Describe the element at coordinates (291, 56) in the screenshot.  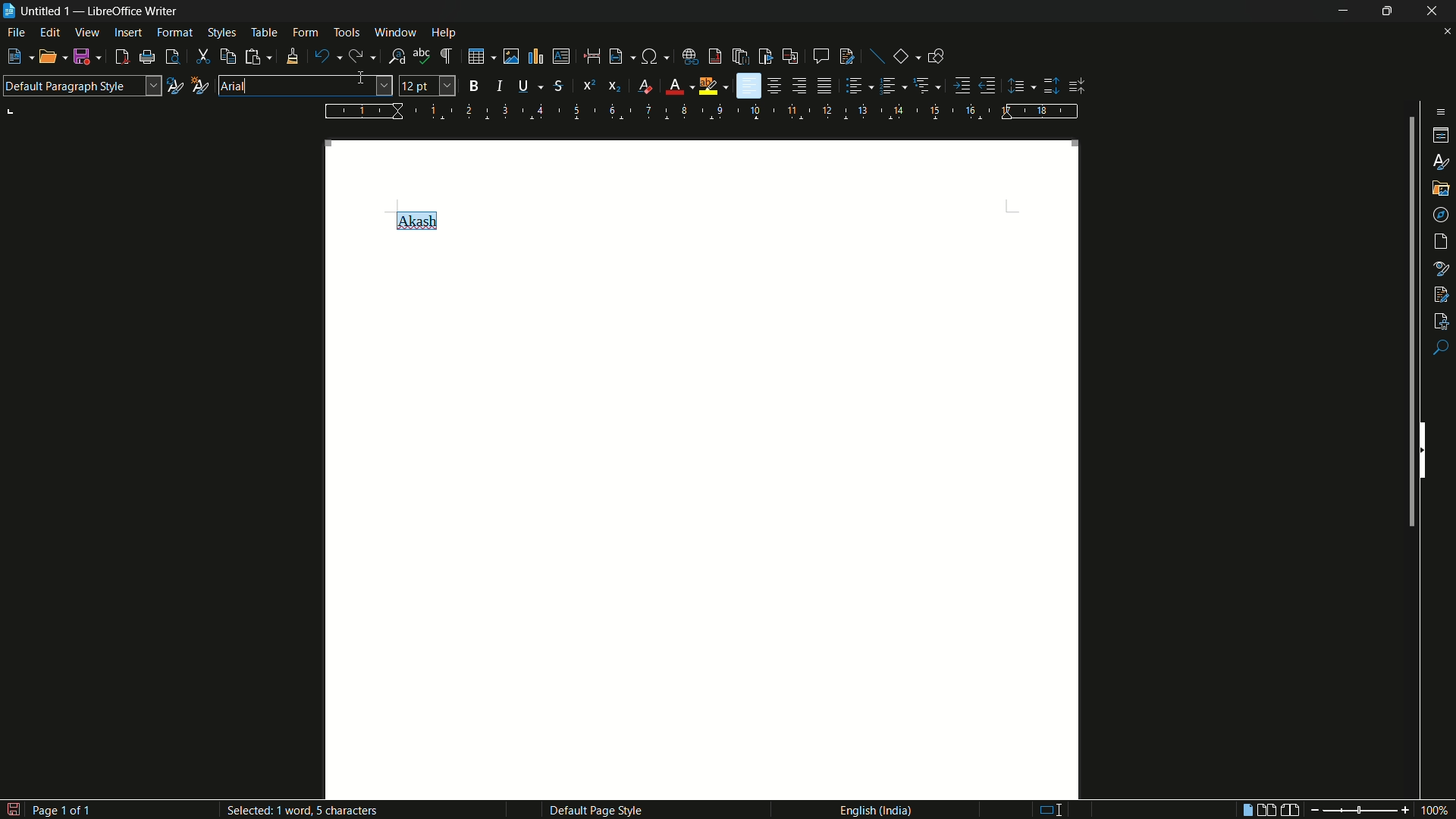
I see `clone formatting` at that location.